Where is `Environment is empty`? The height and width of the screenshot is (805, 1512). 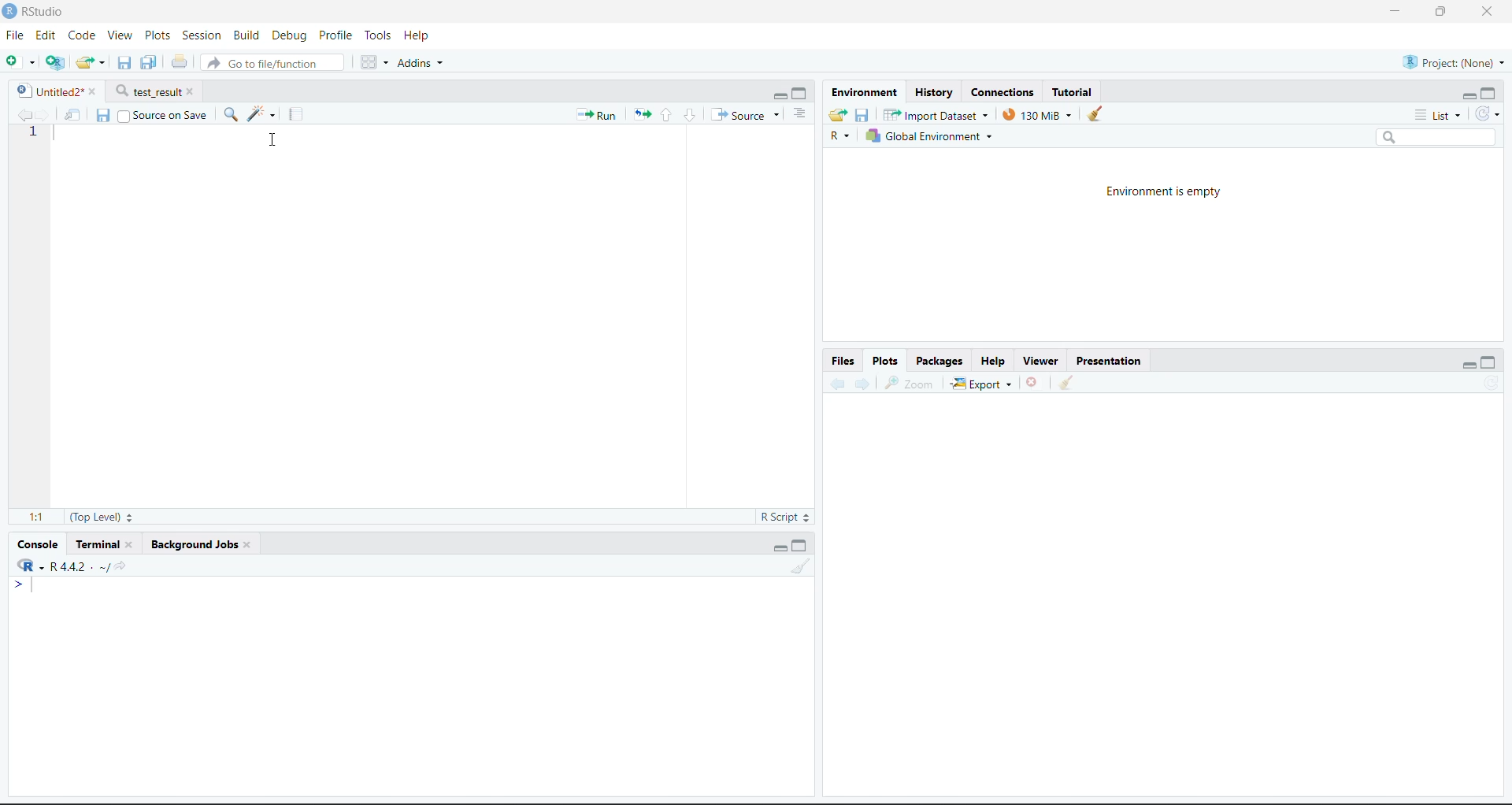 Environment is empty is located at coordinates (1165, 190).